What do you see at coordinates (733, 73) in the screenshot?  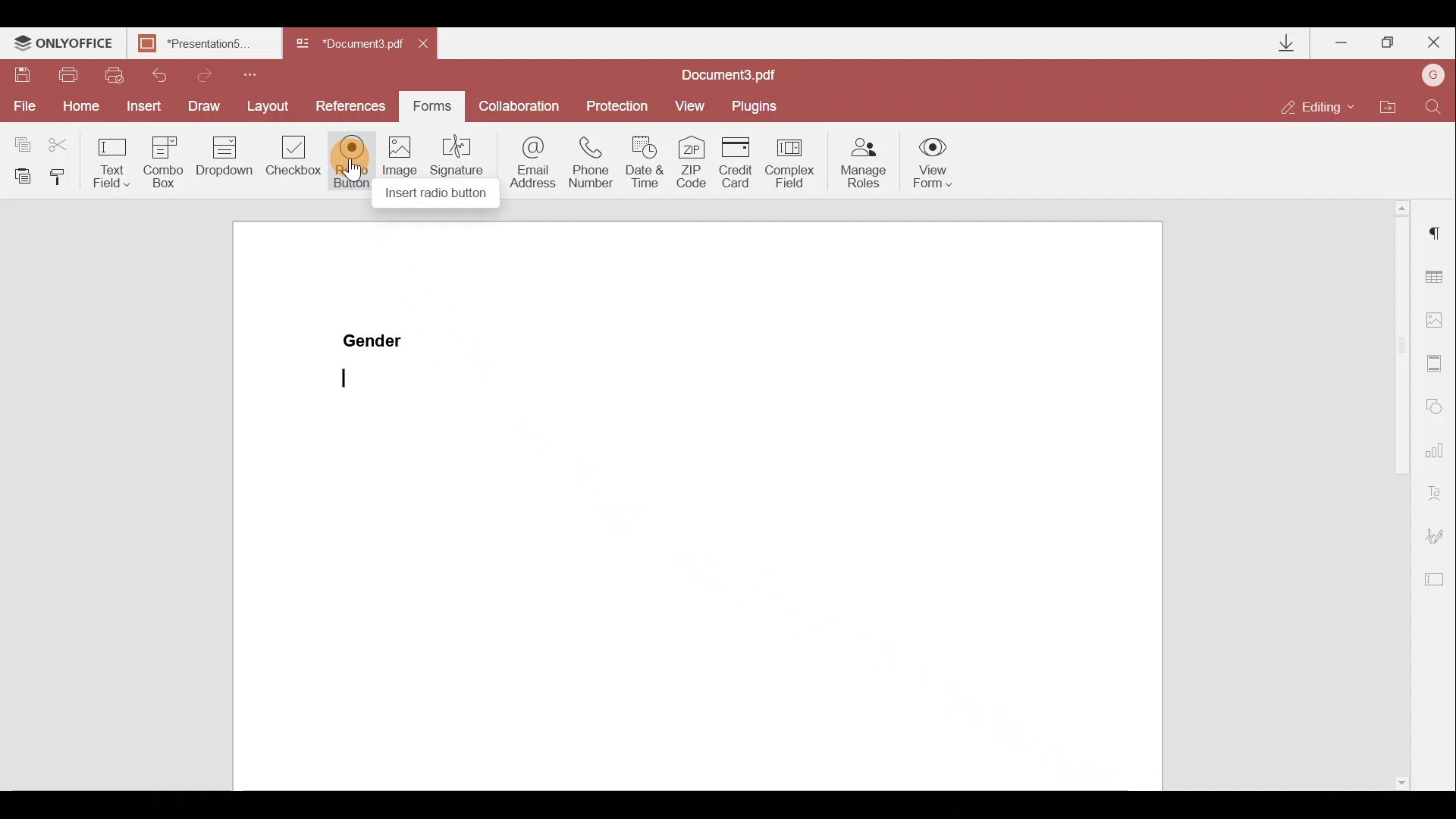 I see `Document name` at bounding box center [733, 73].